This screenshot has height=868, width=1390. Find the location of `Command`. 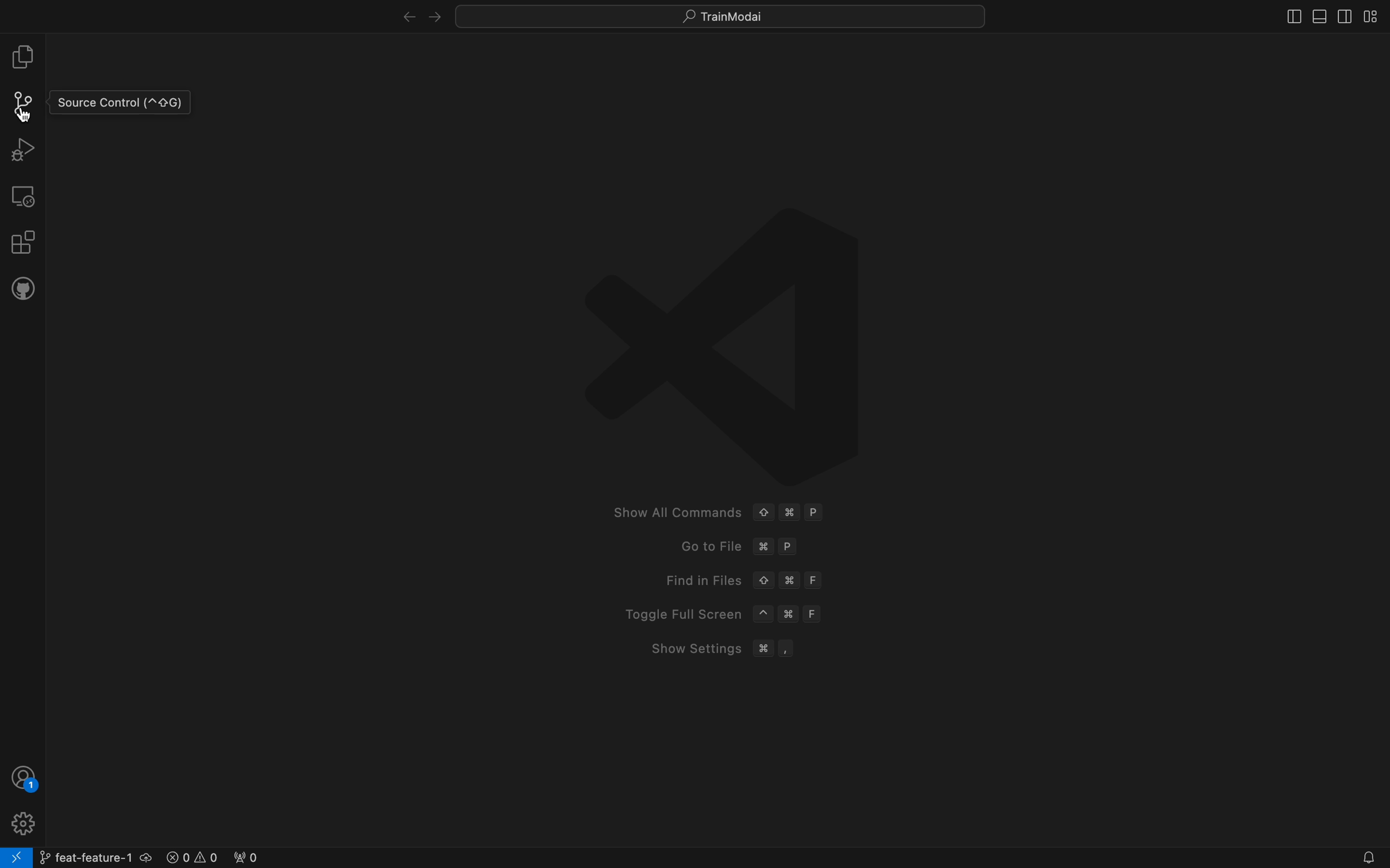

Command is located at coordinates (790, 614).